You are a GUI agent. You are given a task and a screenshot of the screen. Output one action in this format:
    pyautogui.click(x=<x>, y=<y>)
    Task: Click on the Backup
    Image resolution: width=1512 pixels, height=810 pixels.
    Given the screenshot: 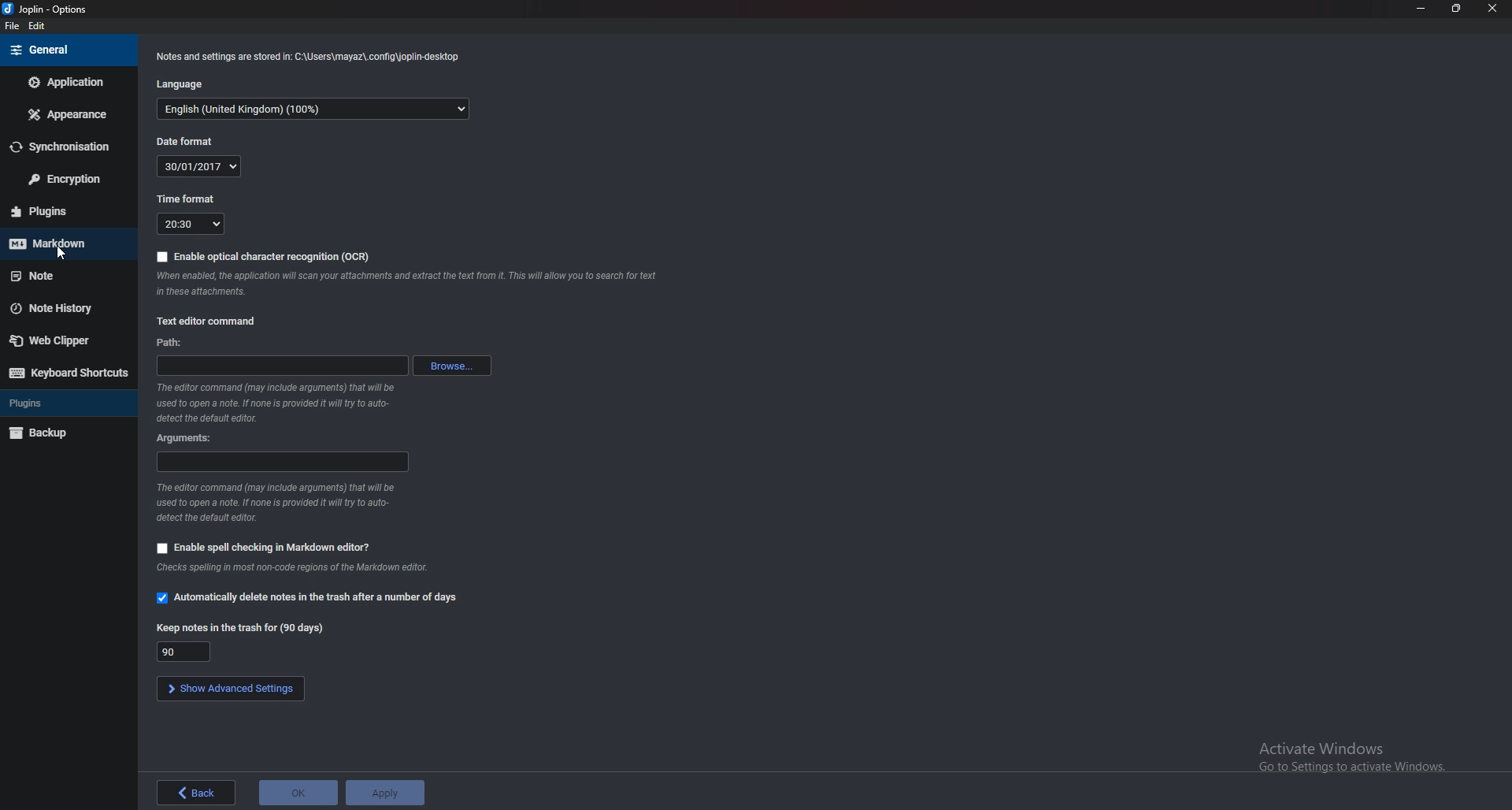 What is the action you would take?
    pyautogui.click(x=60, y=433)
    